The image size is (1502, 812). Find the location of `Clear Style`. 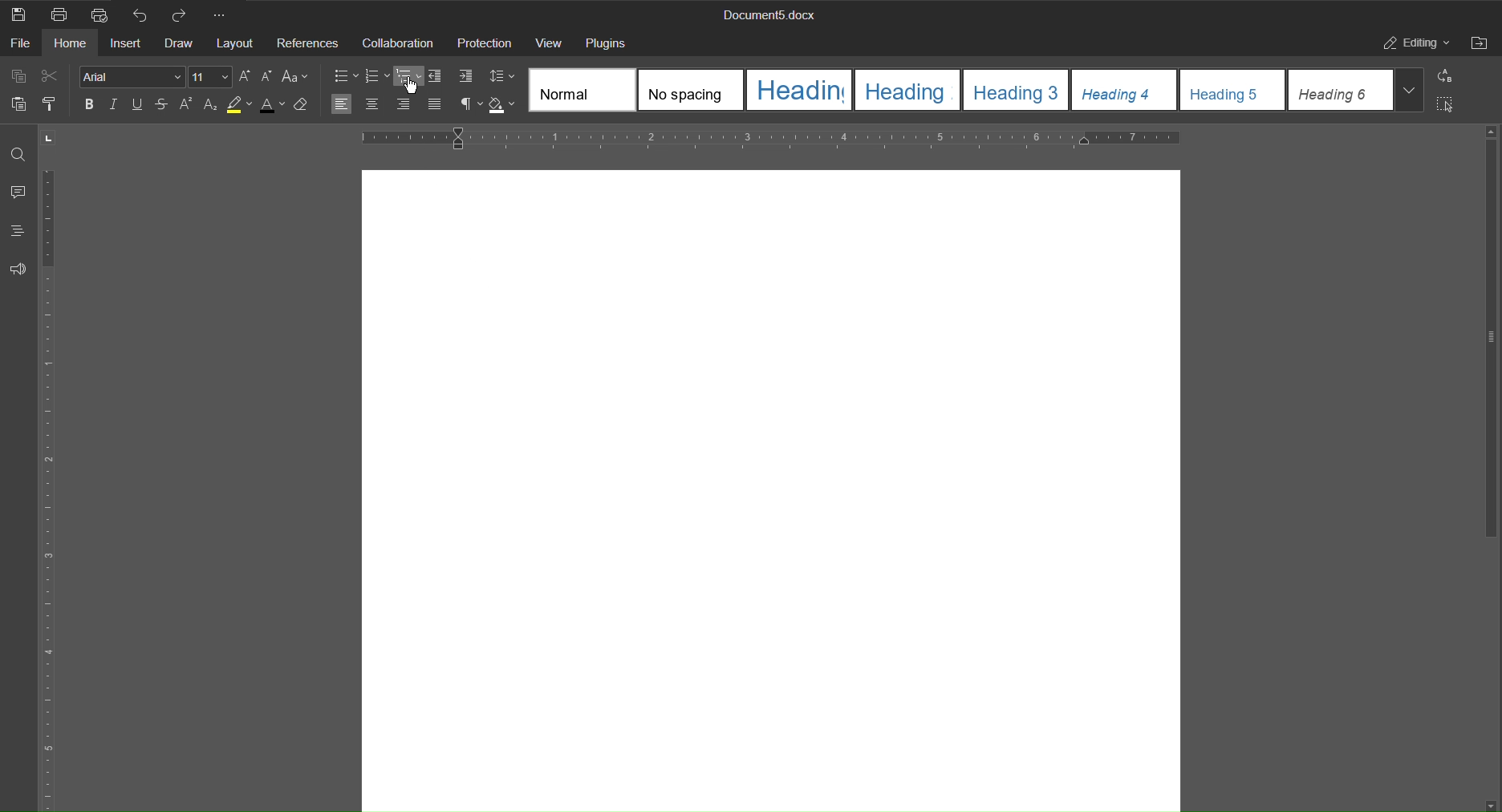

Clear Style is located at coordinates (304, 104).